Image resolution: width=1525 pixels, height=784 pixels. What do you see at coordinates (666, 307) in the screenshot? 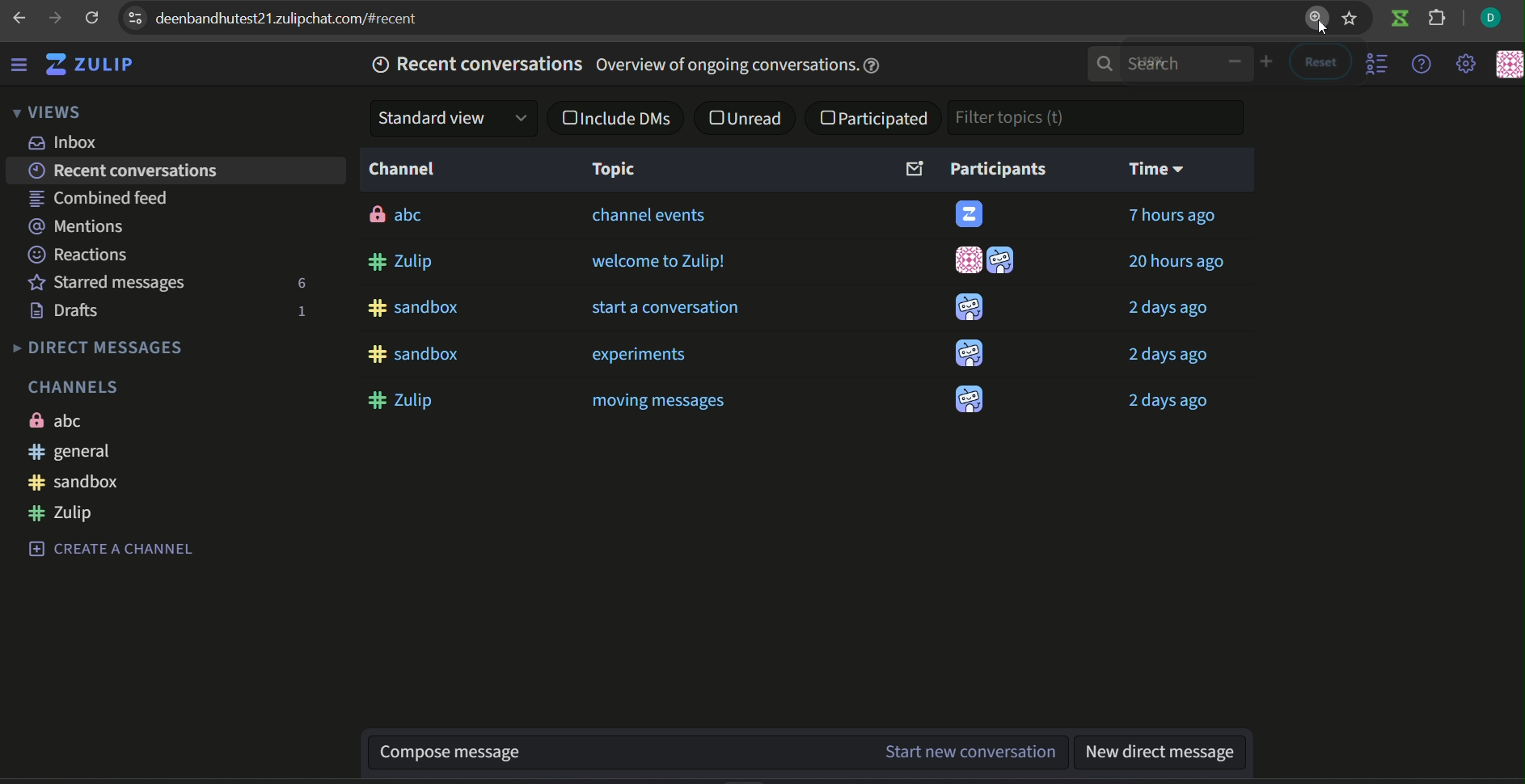
I see `start a conversation` at bounding box center [666, 307].